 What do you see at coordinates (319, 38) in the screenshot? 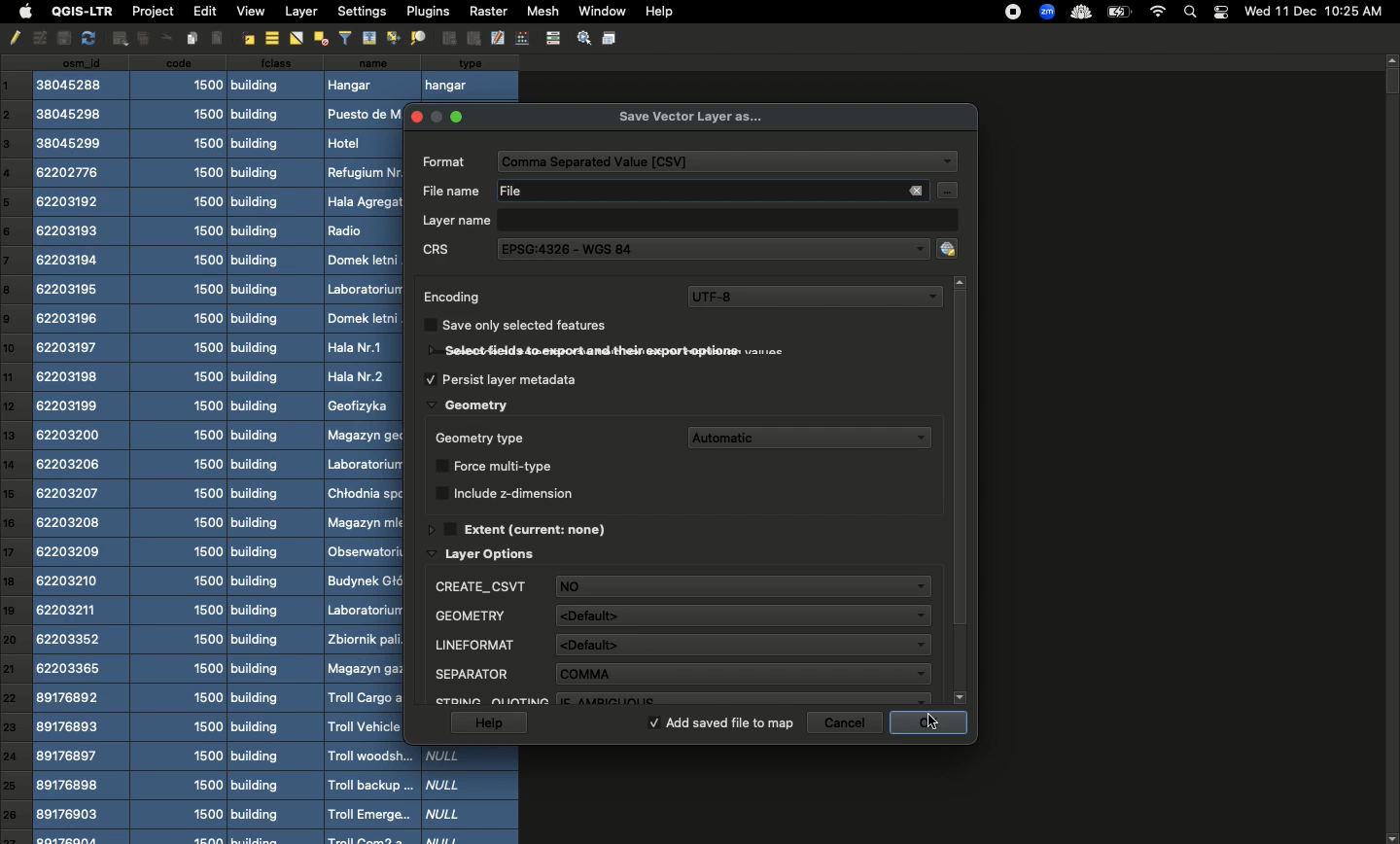
I see `Distribute Objects Evenly` at bounding box center [319, 38].